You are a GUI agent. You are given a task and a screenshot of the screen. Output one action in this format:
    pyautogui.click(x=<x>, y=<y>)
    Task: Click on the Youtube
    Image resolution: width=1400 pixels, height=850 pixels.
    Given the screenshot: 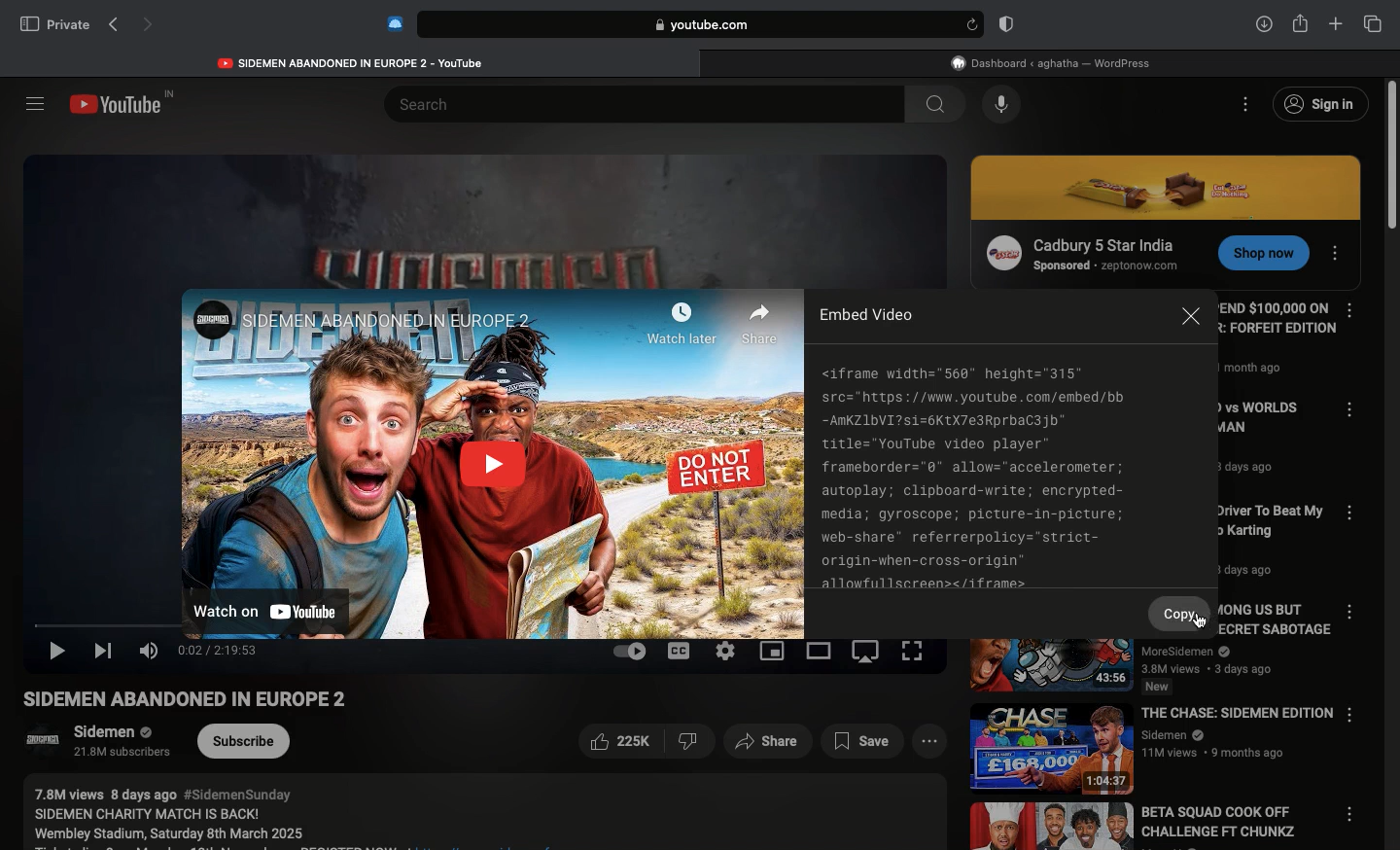 What is the action you would take?
    pyautogui.click(x=353, y=60)
    